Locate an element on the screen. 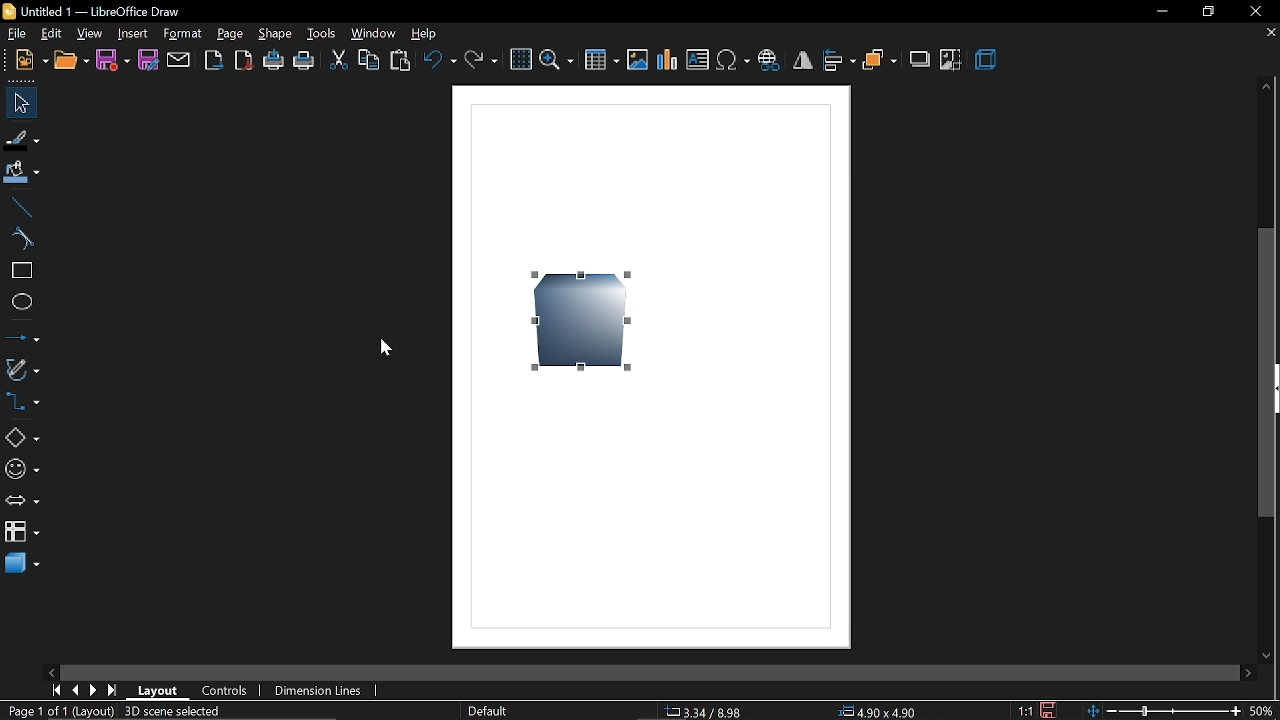 The height and width of the screenshot is (720, 1280). open is located at coordinates (72, 60).